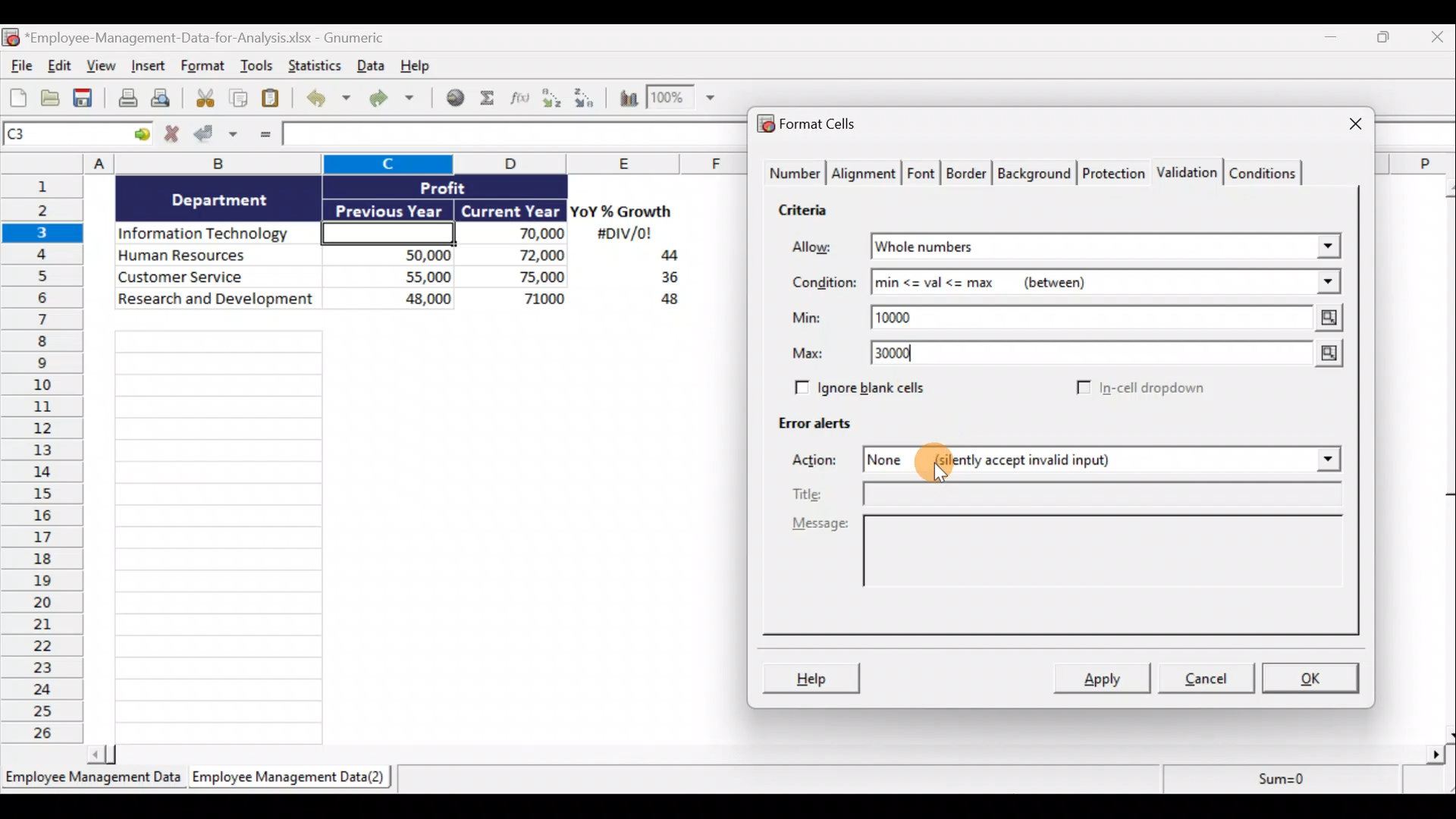 This screenshot has height=819, width=1456. What do you see at coordinates (1329, 283) in the screenshot?
I see `Condition drop down` at bounding box center [1329, 283].